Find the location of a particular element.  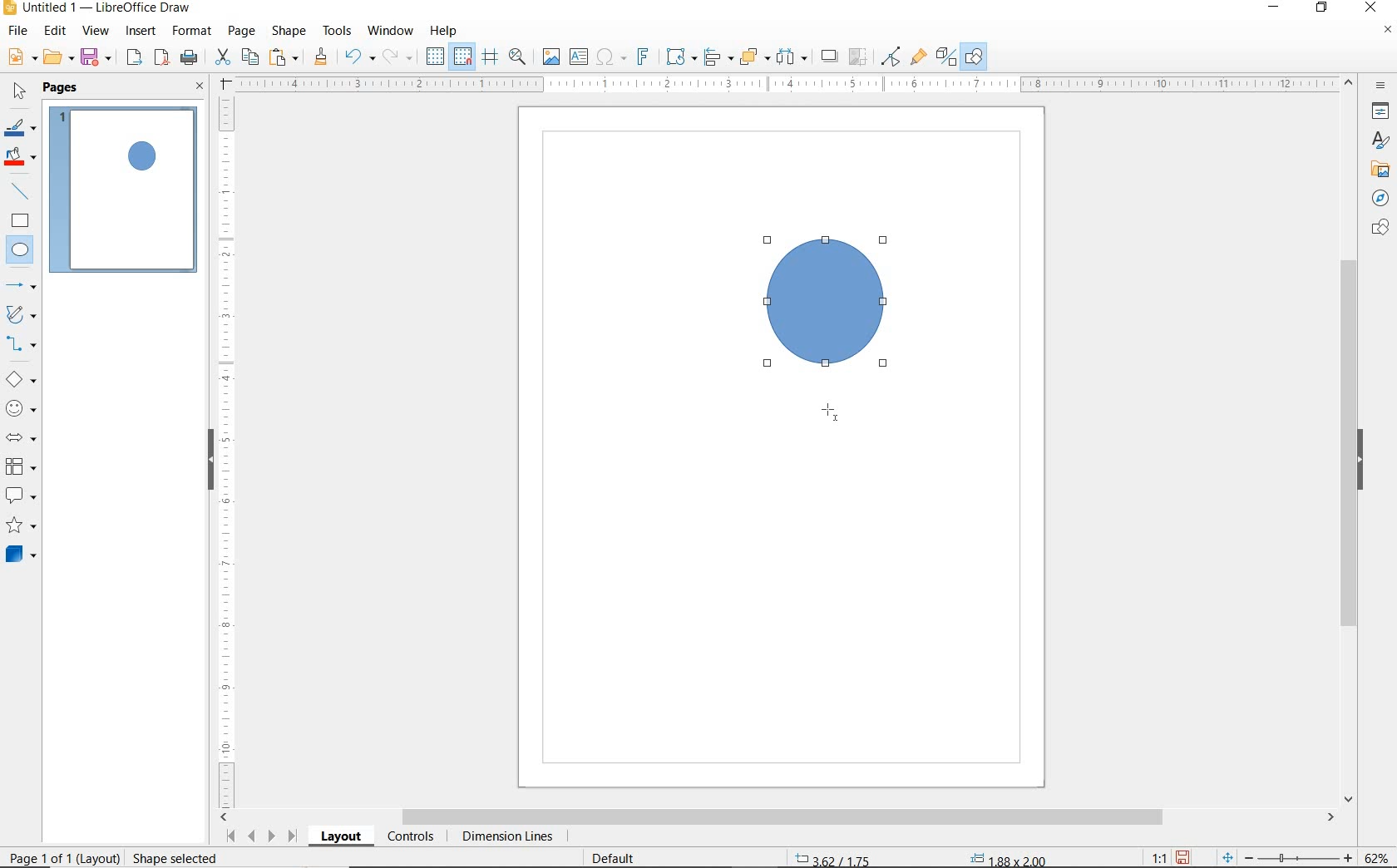

CUT is located at coordinates (223, 57).